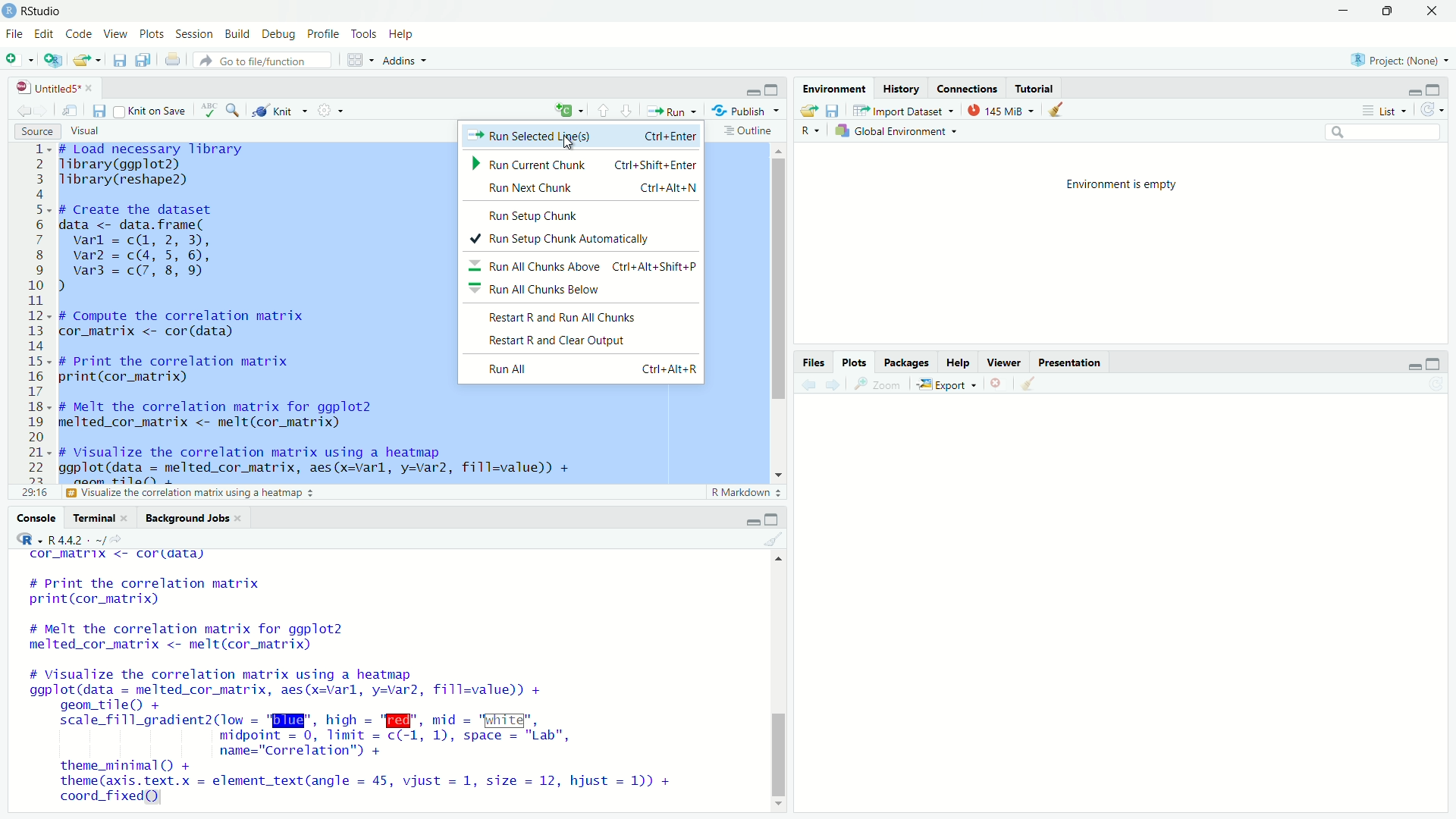 The image size is (1456, 819). I want to click on viewer, so click(1003, 362).